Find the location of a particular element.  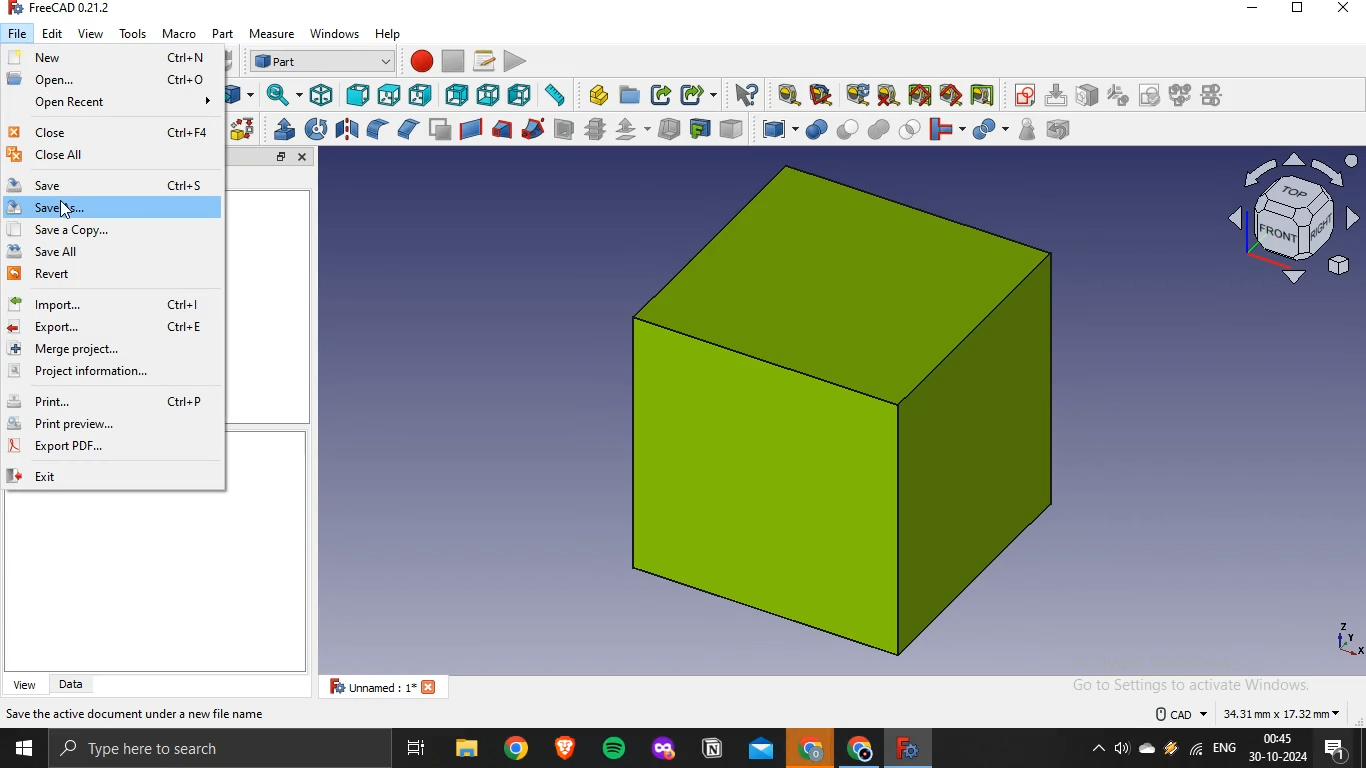

check geometry is located at coordinates (1027, 130).